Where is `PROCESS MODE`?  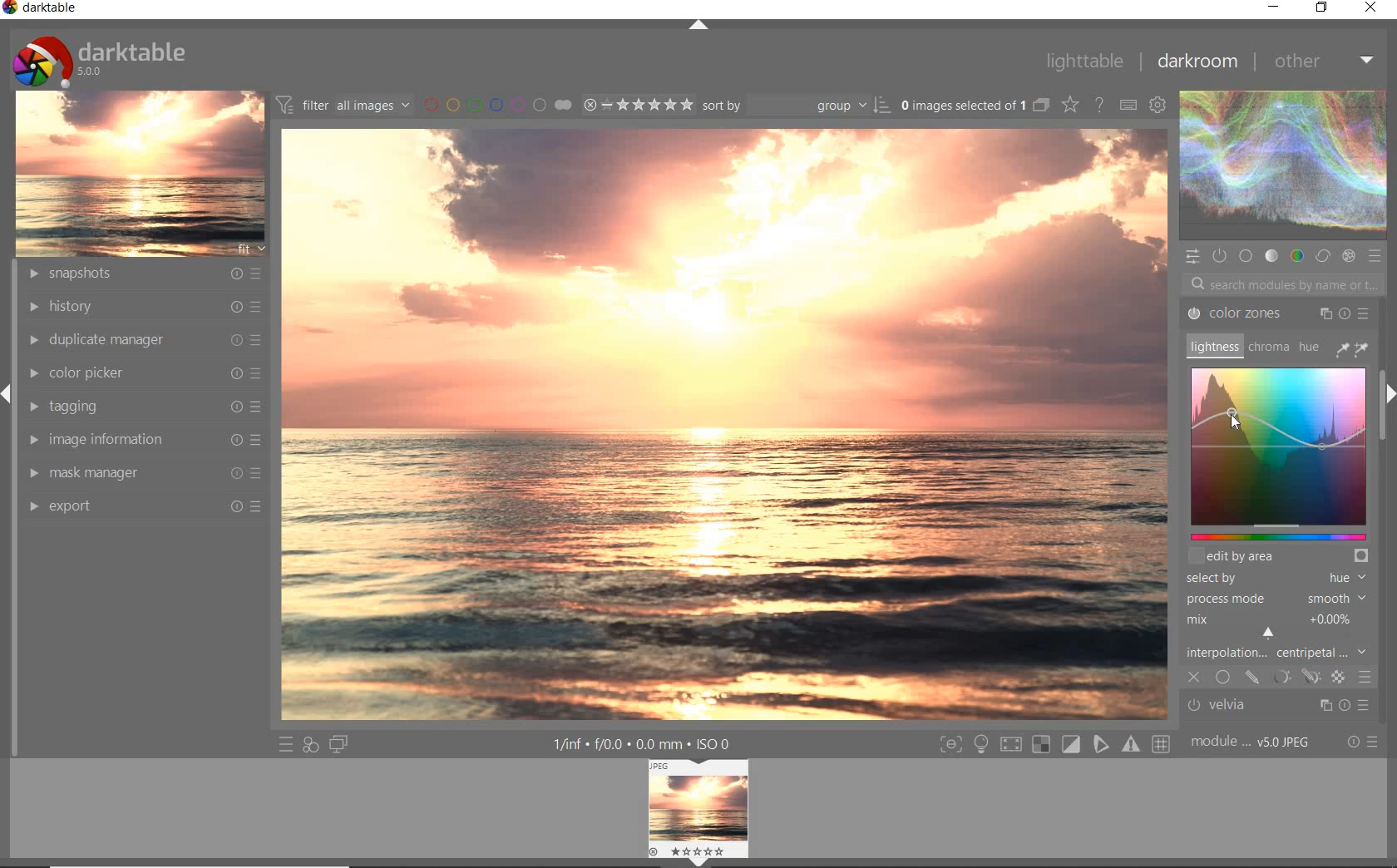
PROCESS MODE is located at coordinates (1278, 599).